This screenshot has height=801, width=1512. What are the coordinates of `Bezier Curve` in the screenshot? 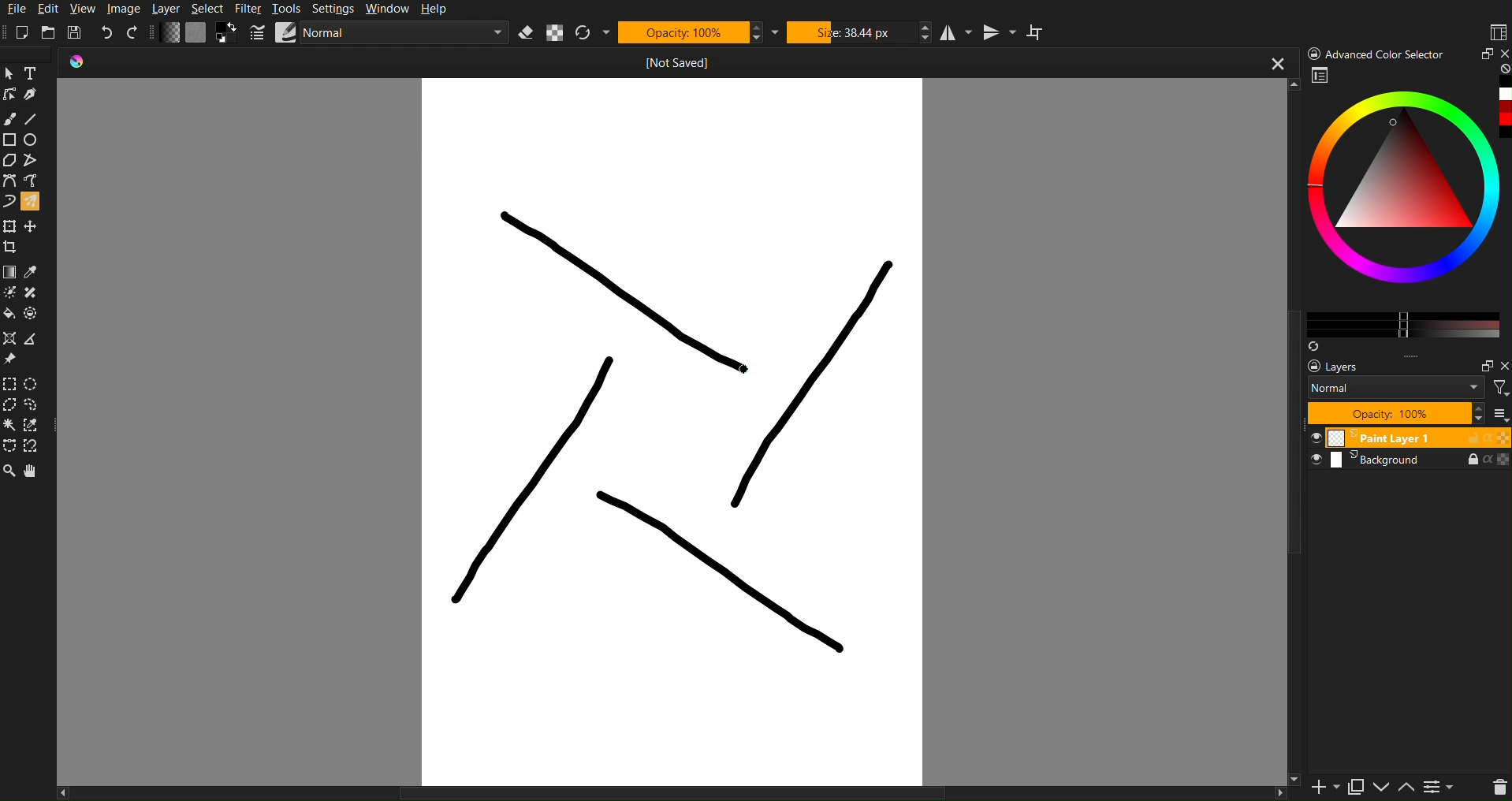 It's located at (9, 181).